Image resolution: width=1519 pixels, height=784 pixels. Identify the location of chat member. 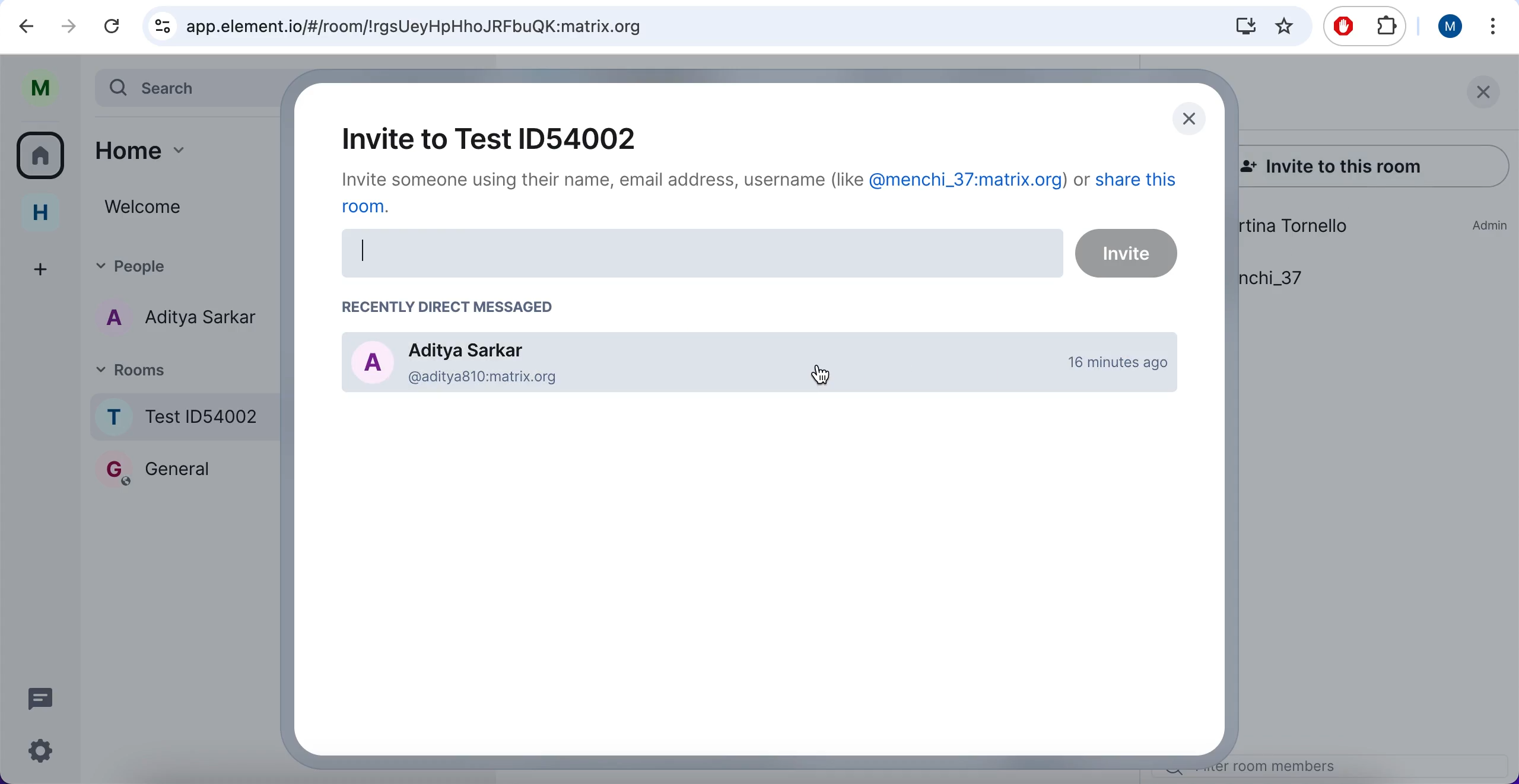
(183, 316).